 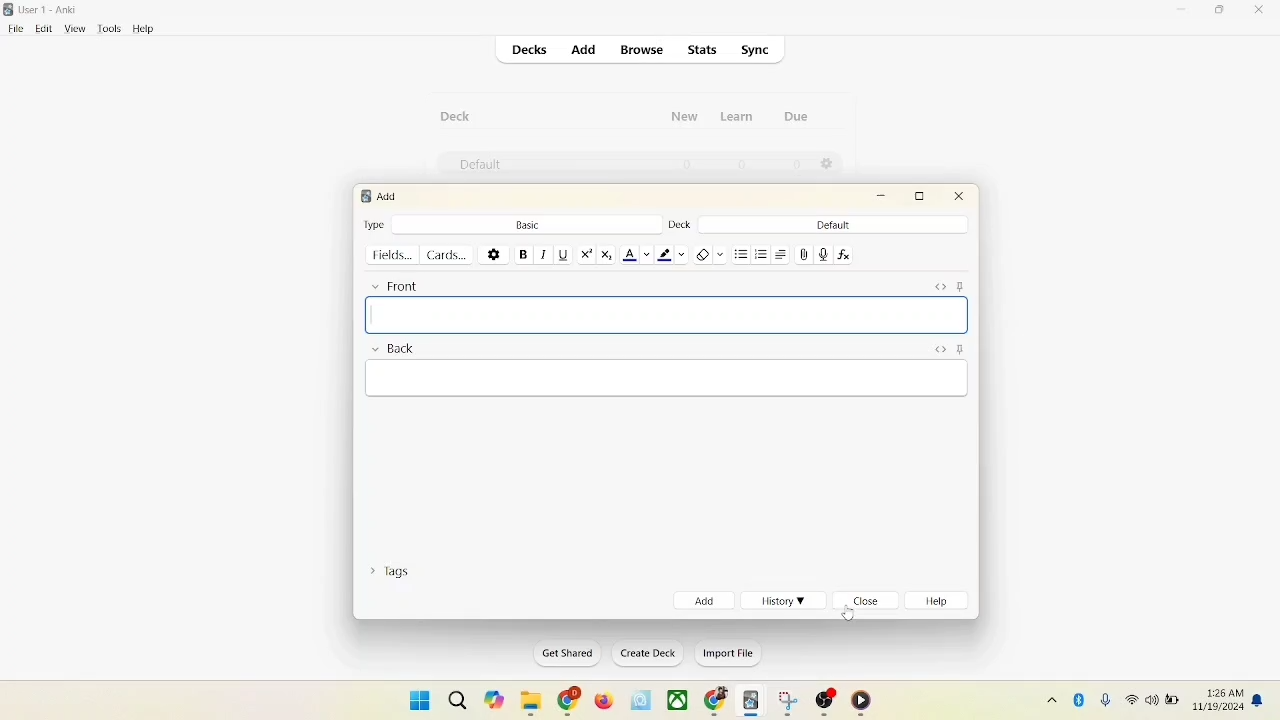 I want to click on sticky, so click(x=964, y=286).